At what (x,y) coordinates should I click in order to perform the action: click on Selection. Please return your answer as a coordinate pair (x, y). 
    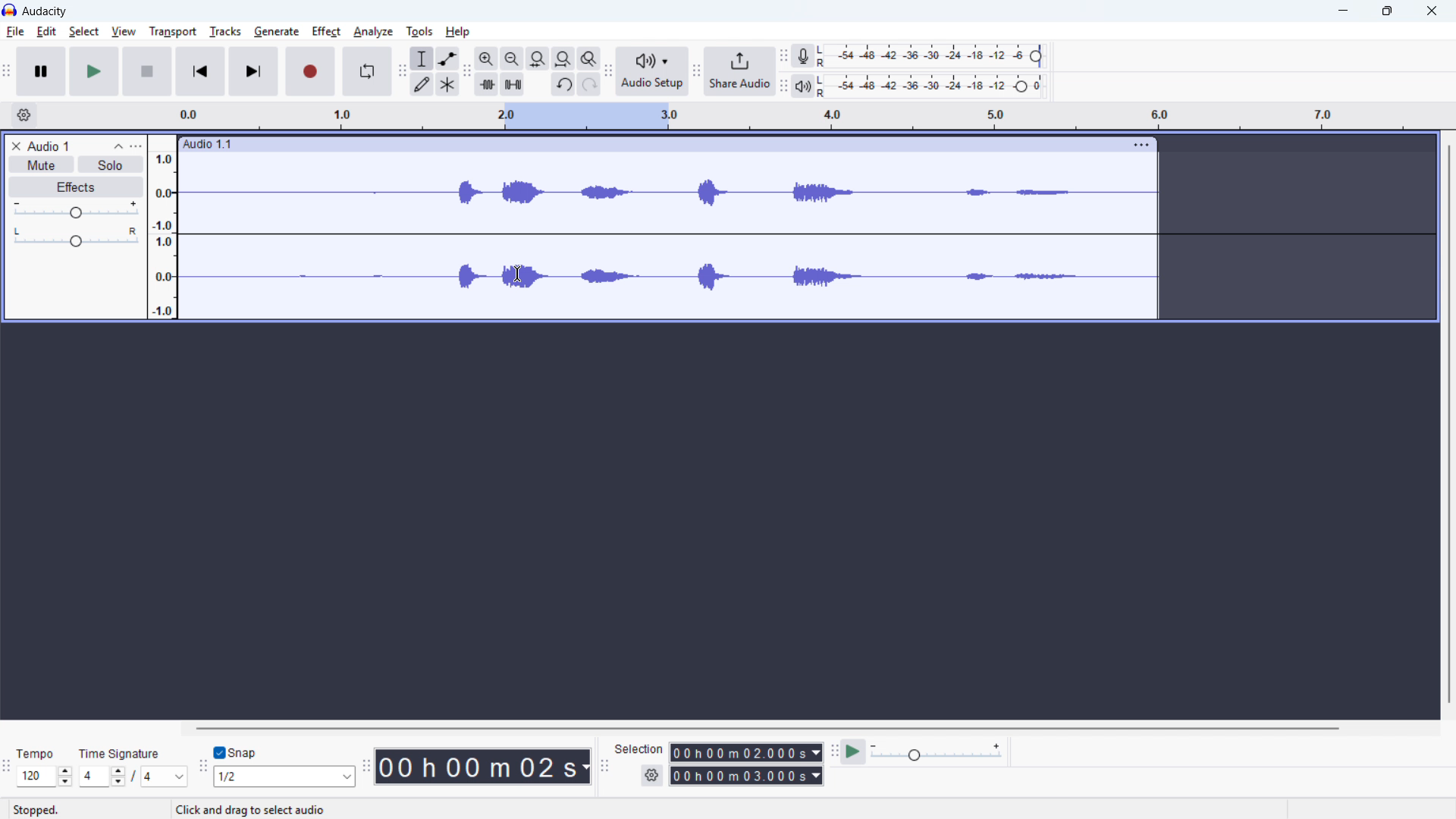
    Looking at the image, I should click on (640, 748).